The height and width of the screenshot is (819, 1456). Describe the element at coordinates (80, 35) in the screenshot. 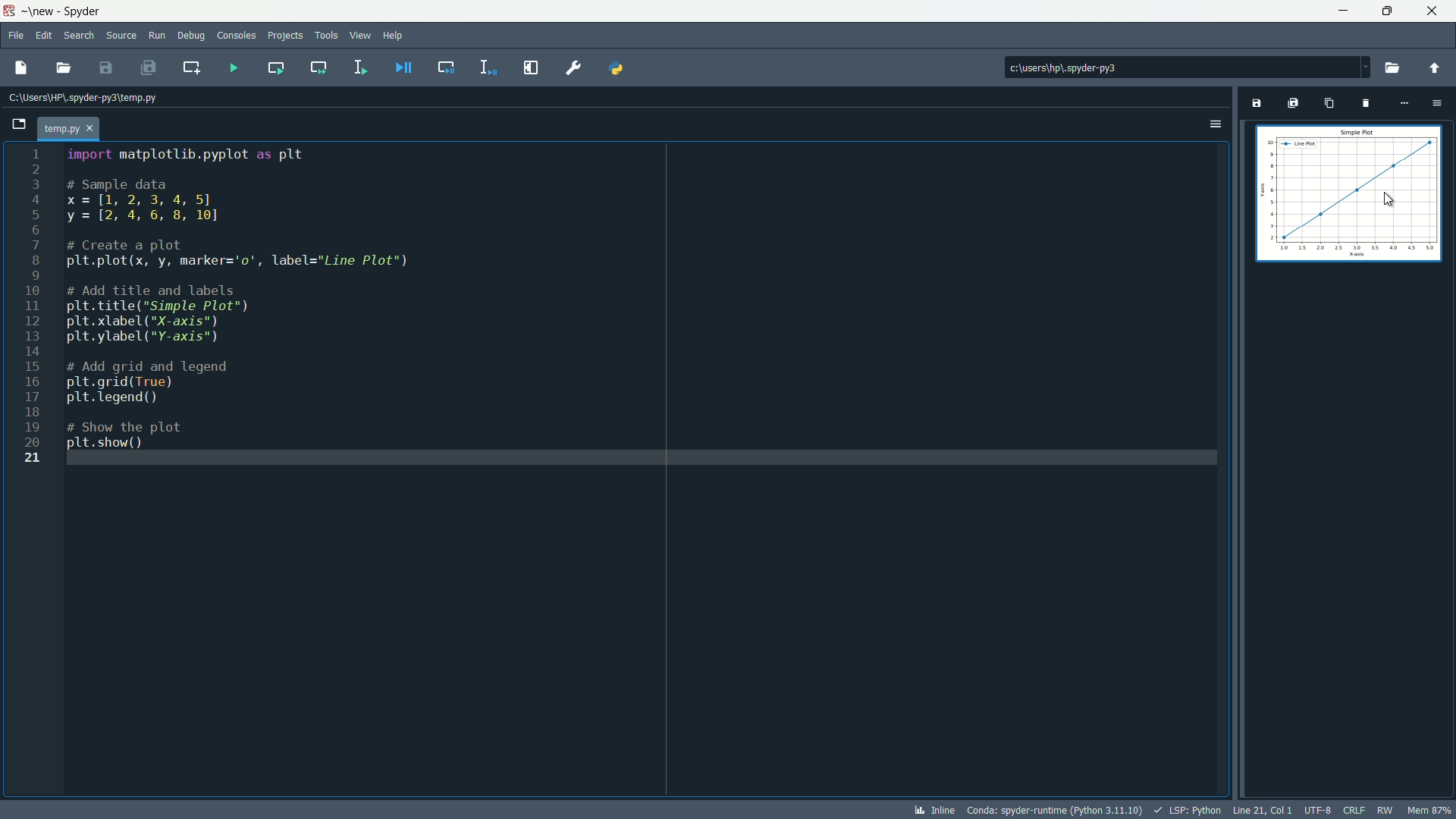

I see `search menu` at that location.